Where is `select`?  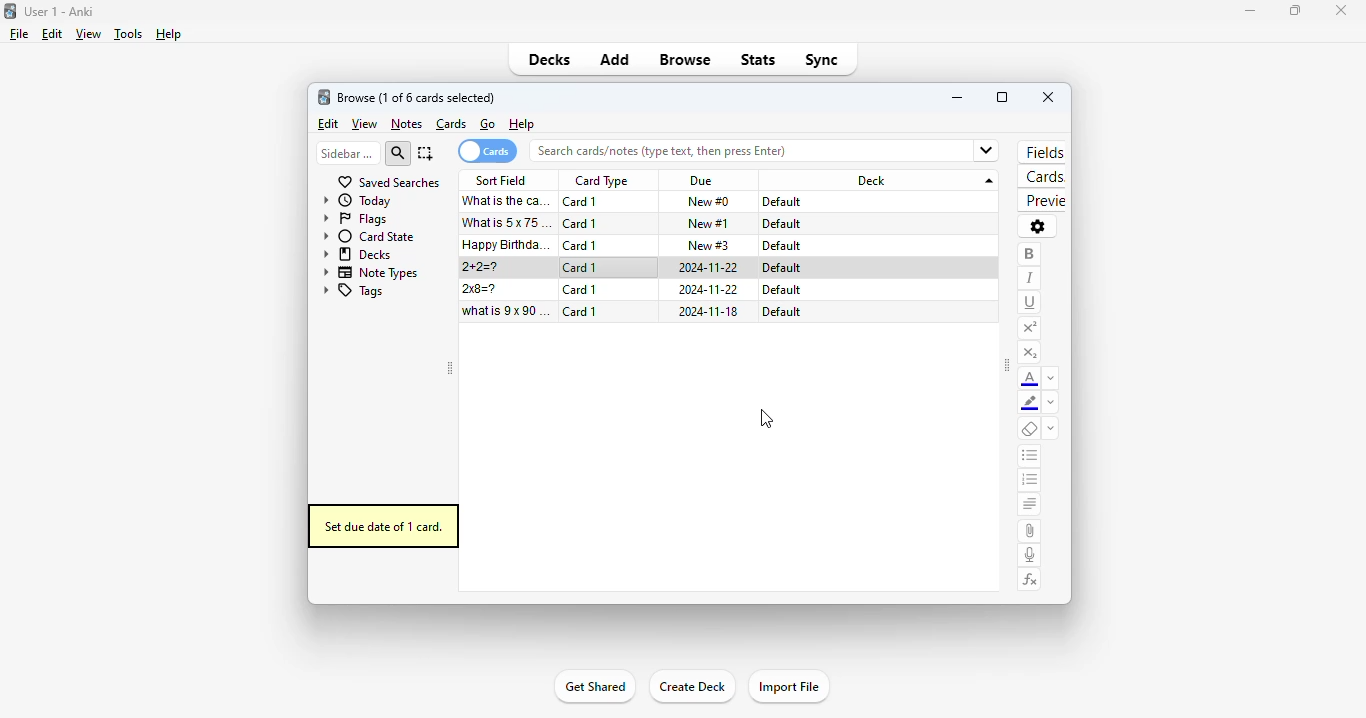
select is located at coordinates (426, 153).